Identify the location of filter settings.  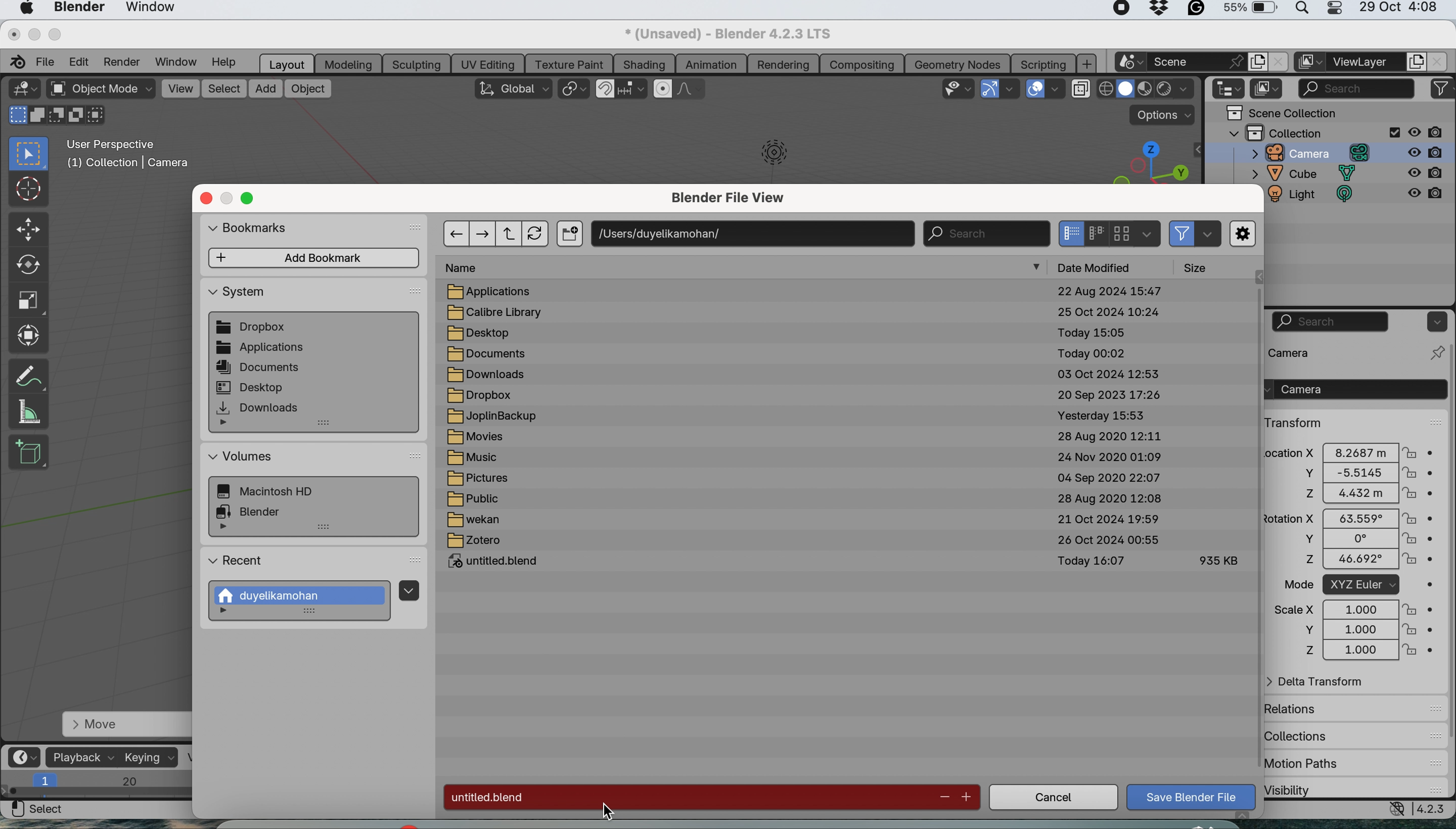
(1207, 235).